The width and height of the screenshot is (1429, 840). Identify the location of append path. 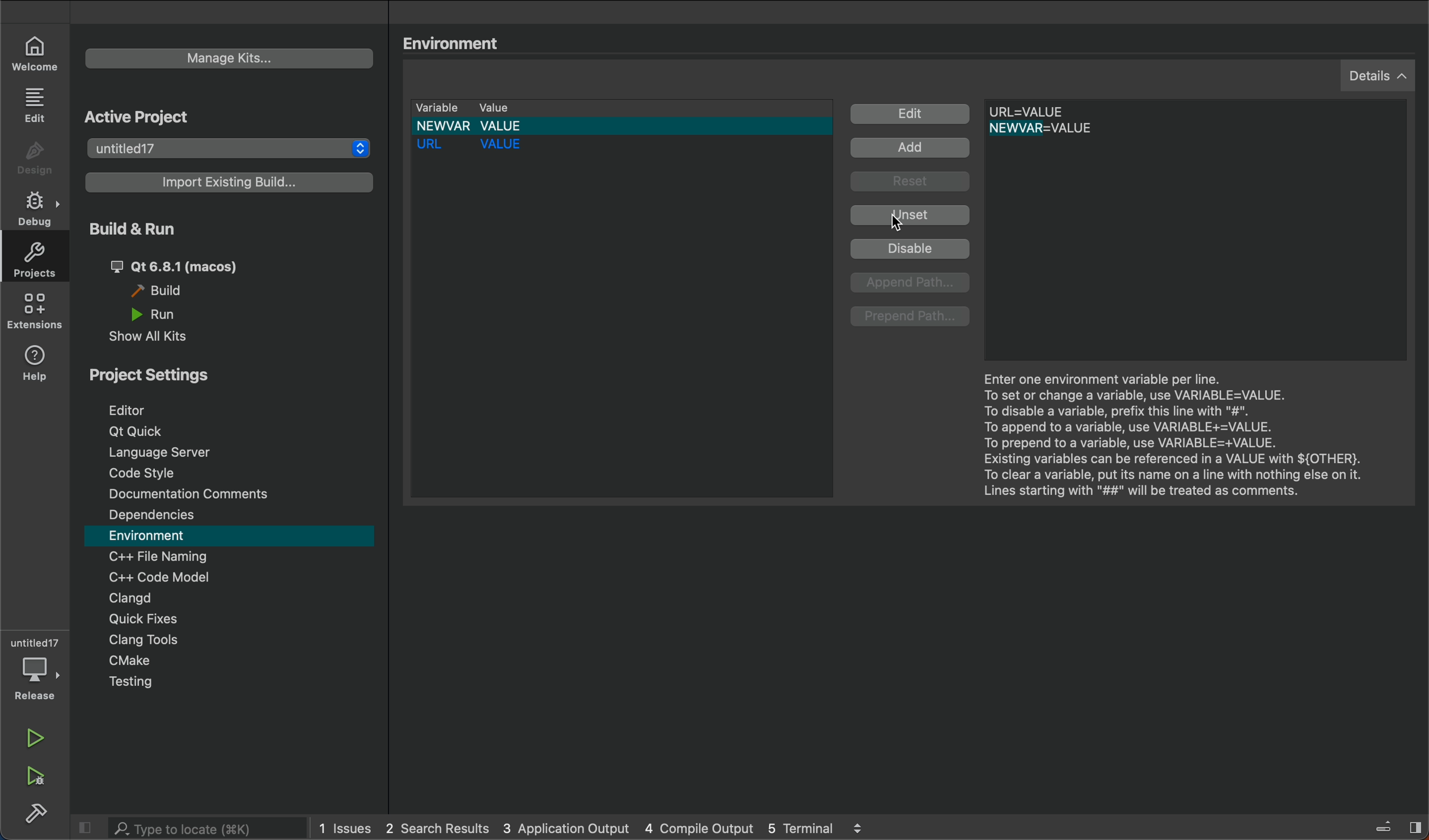
(912, 283).